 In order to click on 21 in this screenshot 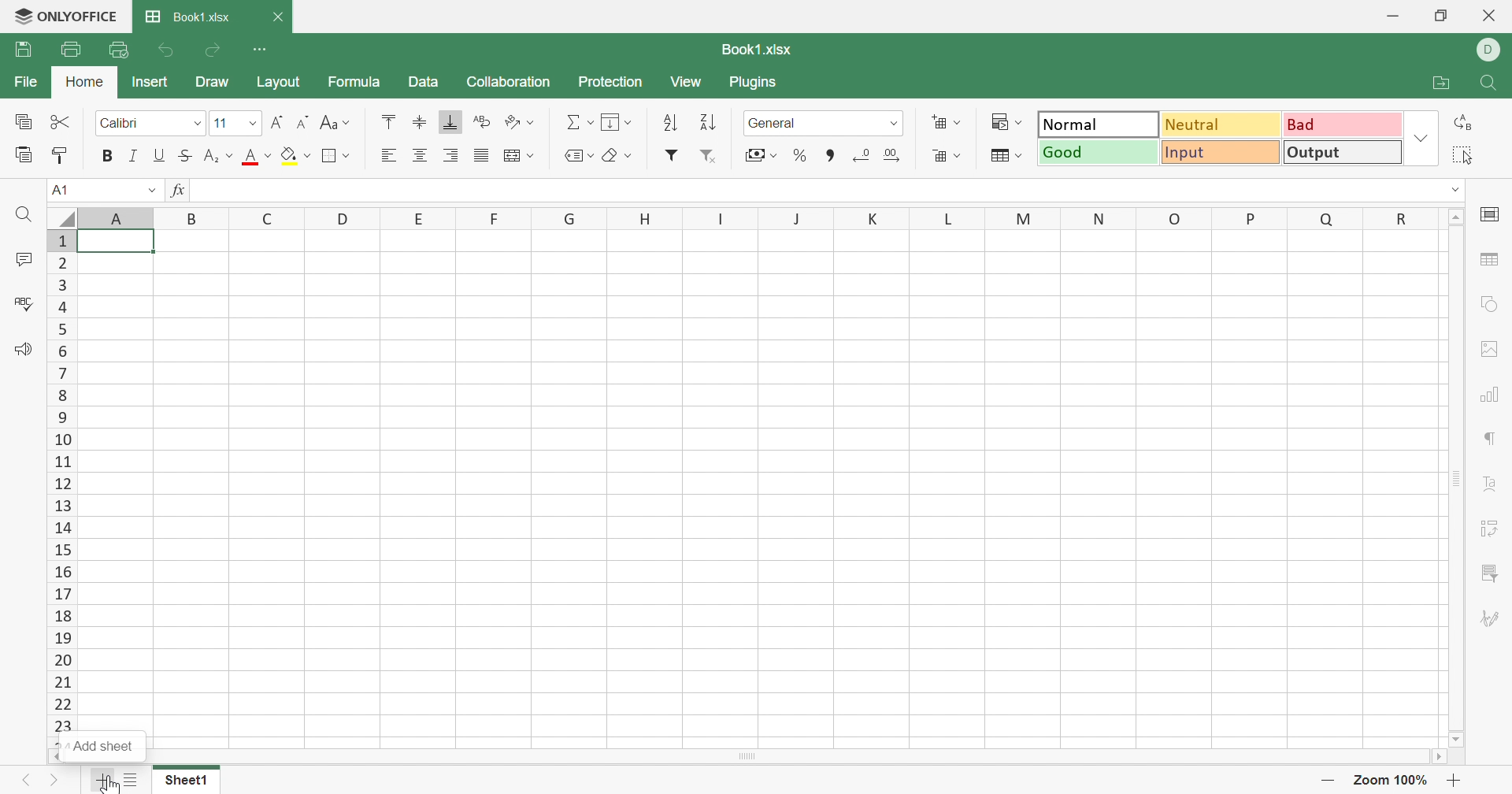, I will do `click(62, 681)`.